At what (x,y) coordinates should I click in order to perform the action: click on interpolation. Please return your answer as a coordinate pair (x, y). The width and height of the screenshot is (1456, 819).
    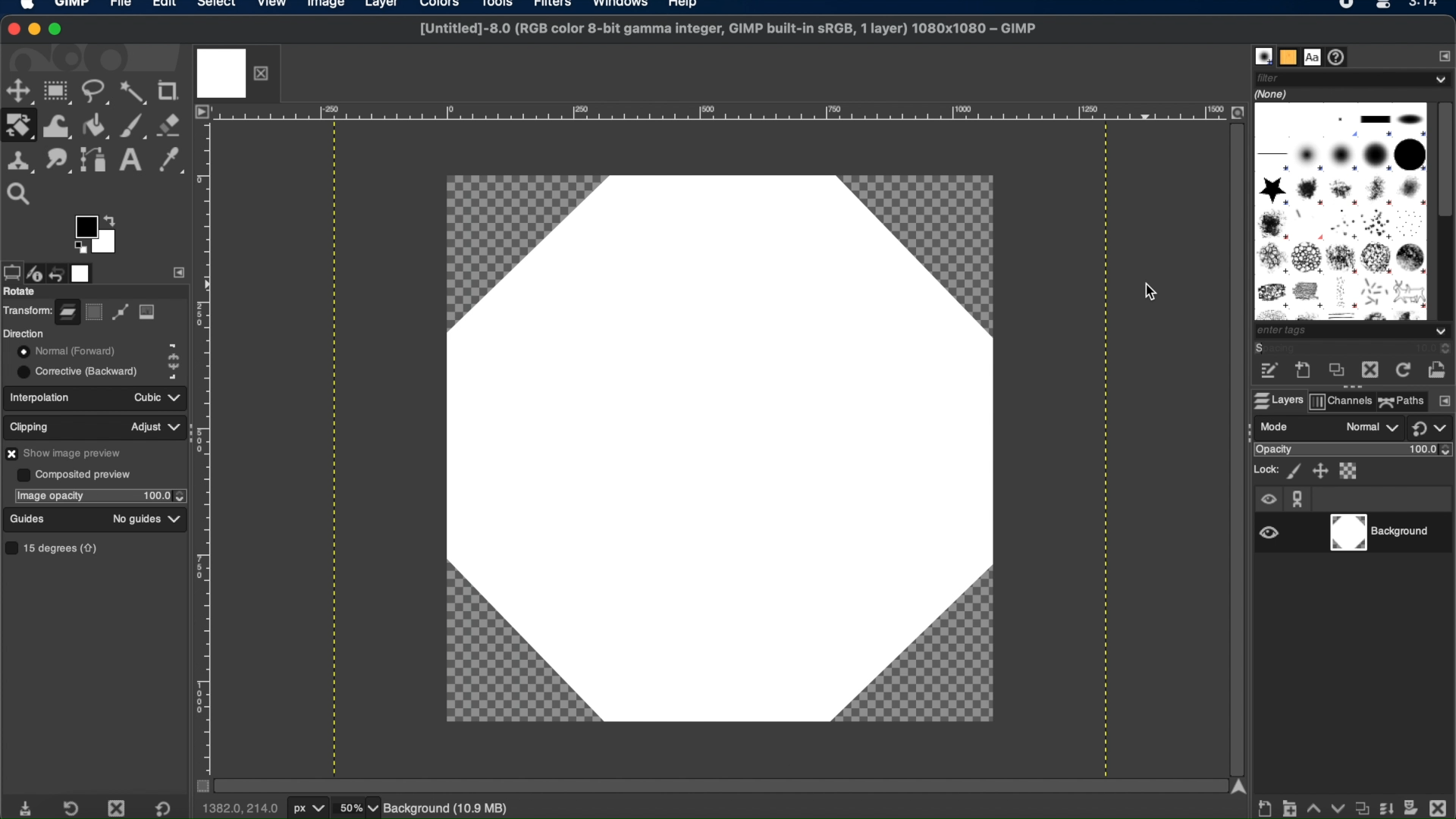
    Looking at the image, I should click on (43, 397).